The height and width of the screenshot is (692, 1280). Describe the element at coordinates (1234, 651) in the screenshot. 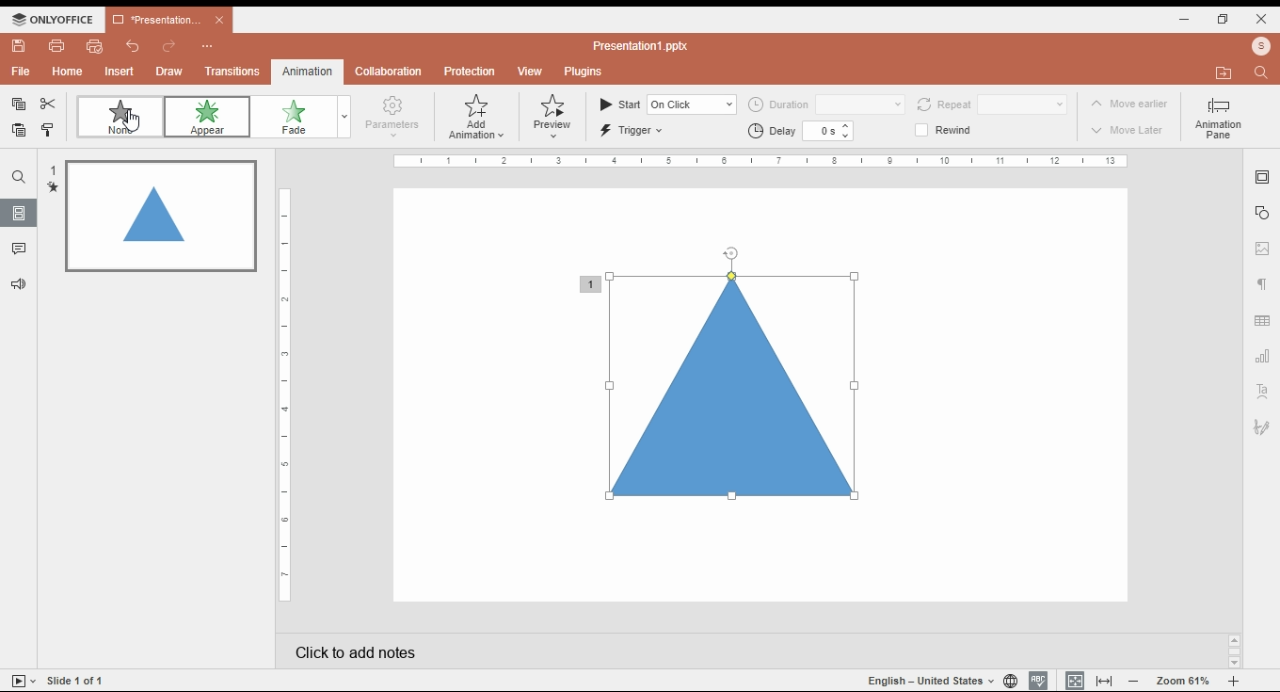

I see `scroll bar` at that location.